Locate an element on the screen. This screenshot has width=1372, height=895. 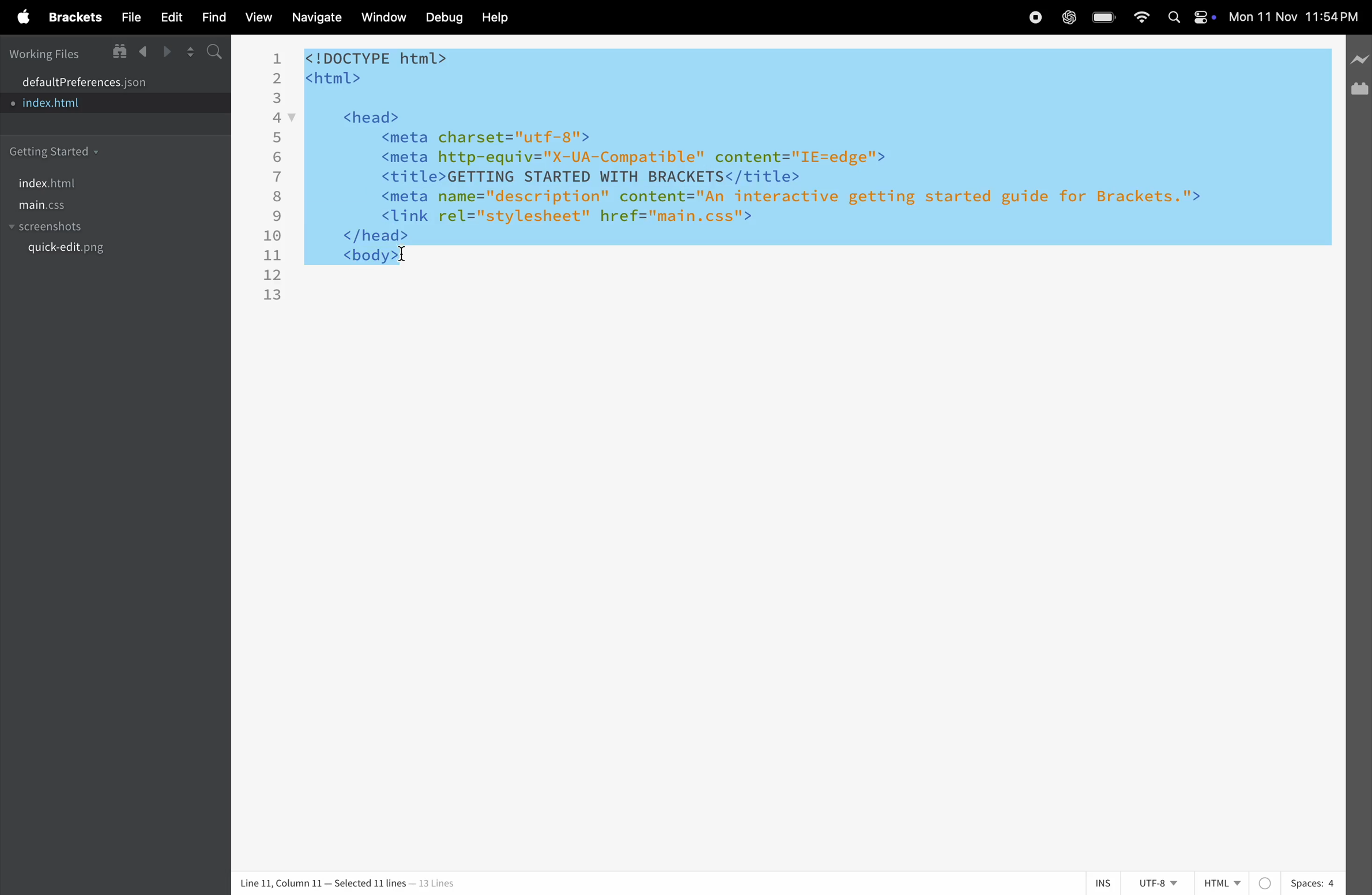
backward is located at coordinates (142, 52).